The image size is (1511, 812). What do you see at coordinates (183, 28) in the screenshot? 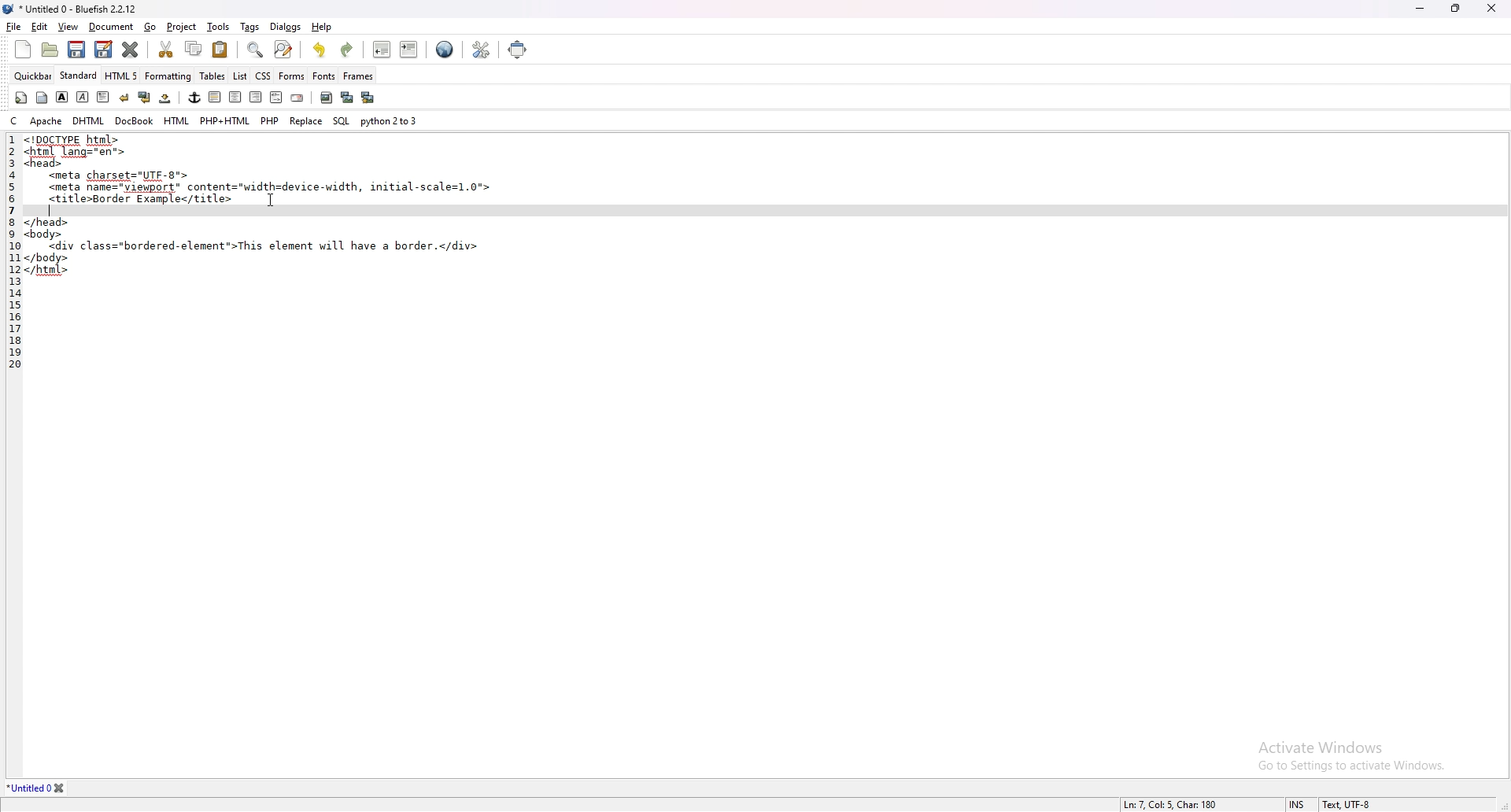
I see `project` at bounding box center [183, 28].